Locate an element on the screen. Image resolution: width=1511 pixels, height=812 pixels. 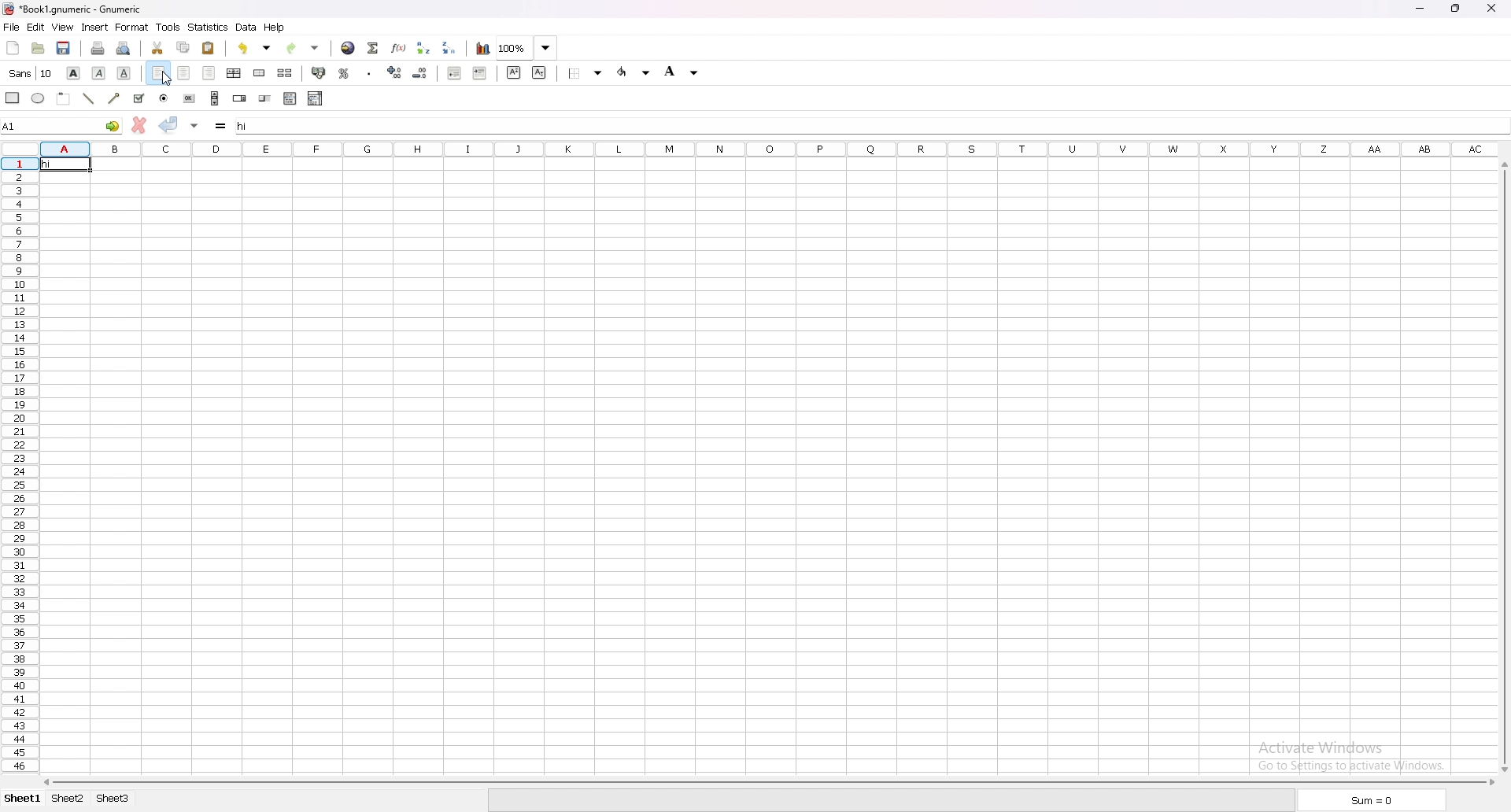
list is located at coordinates (290, 98).